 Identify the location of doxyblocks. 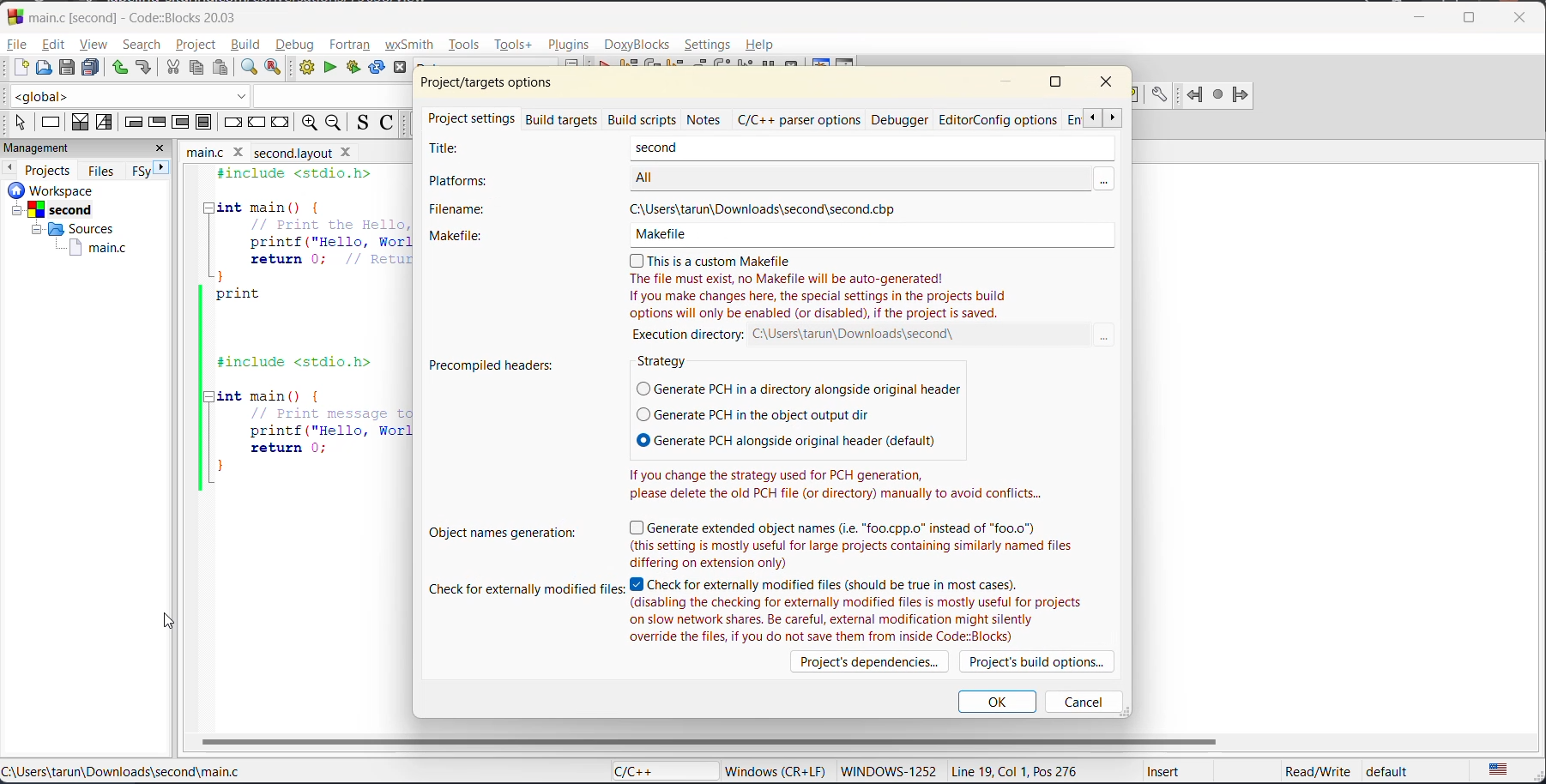
(642, 43).